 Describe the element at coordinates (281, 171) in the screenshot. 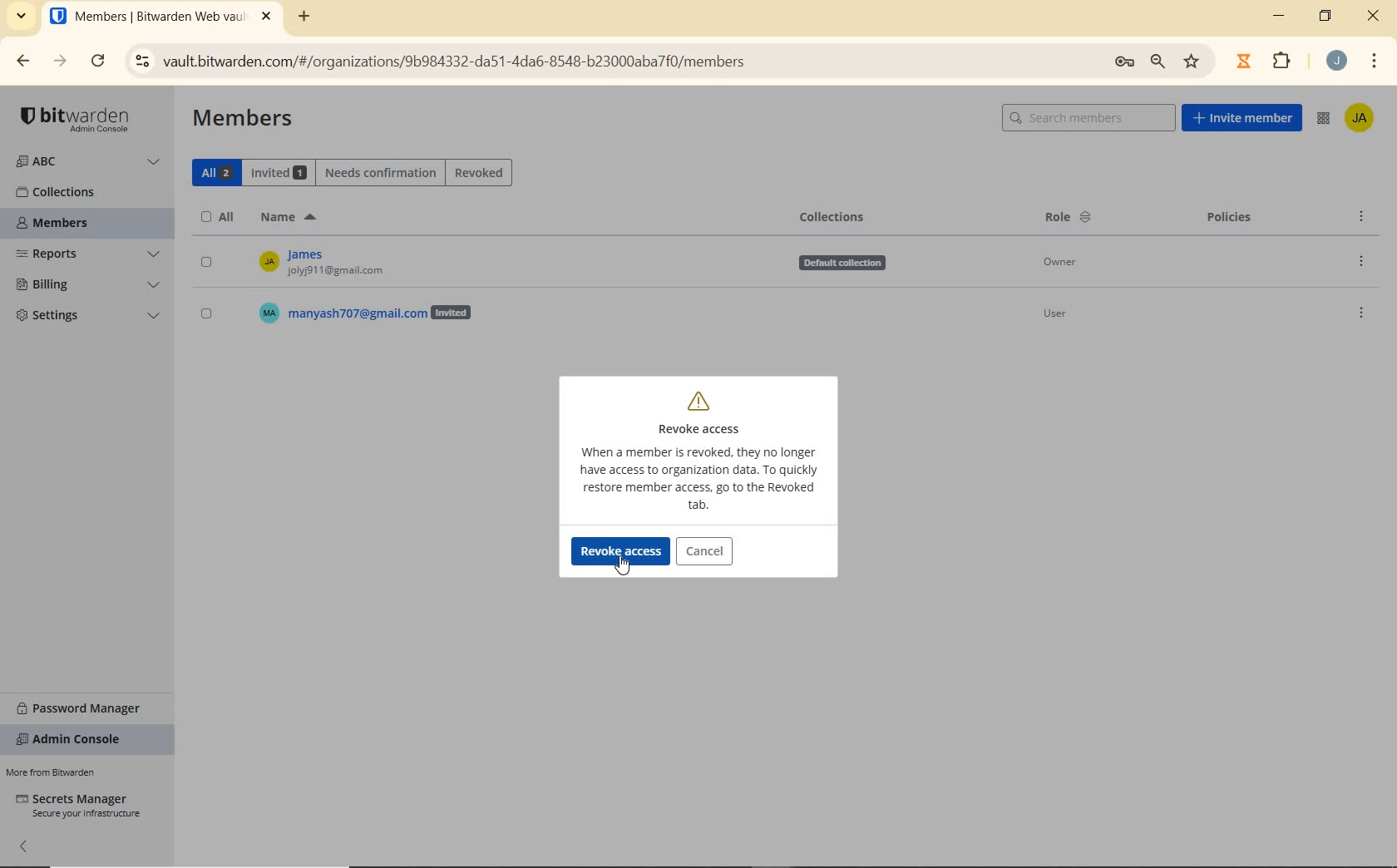

I see `INVITED` at that location.